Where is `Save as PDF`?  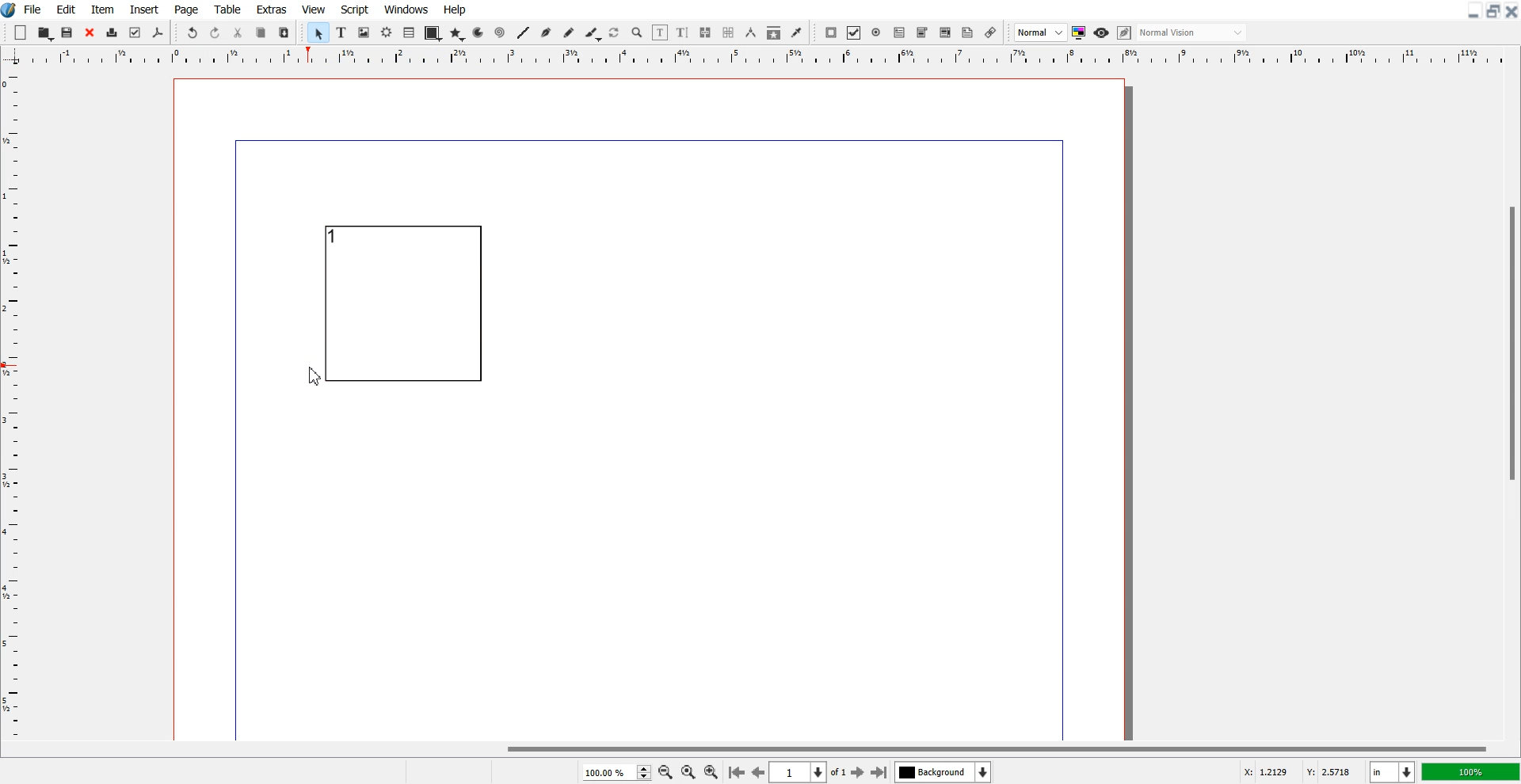 Save as PDF is located at coordinates (158, 33).